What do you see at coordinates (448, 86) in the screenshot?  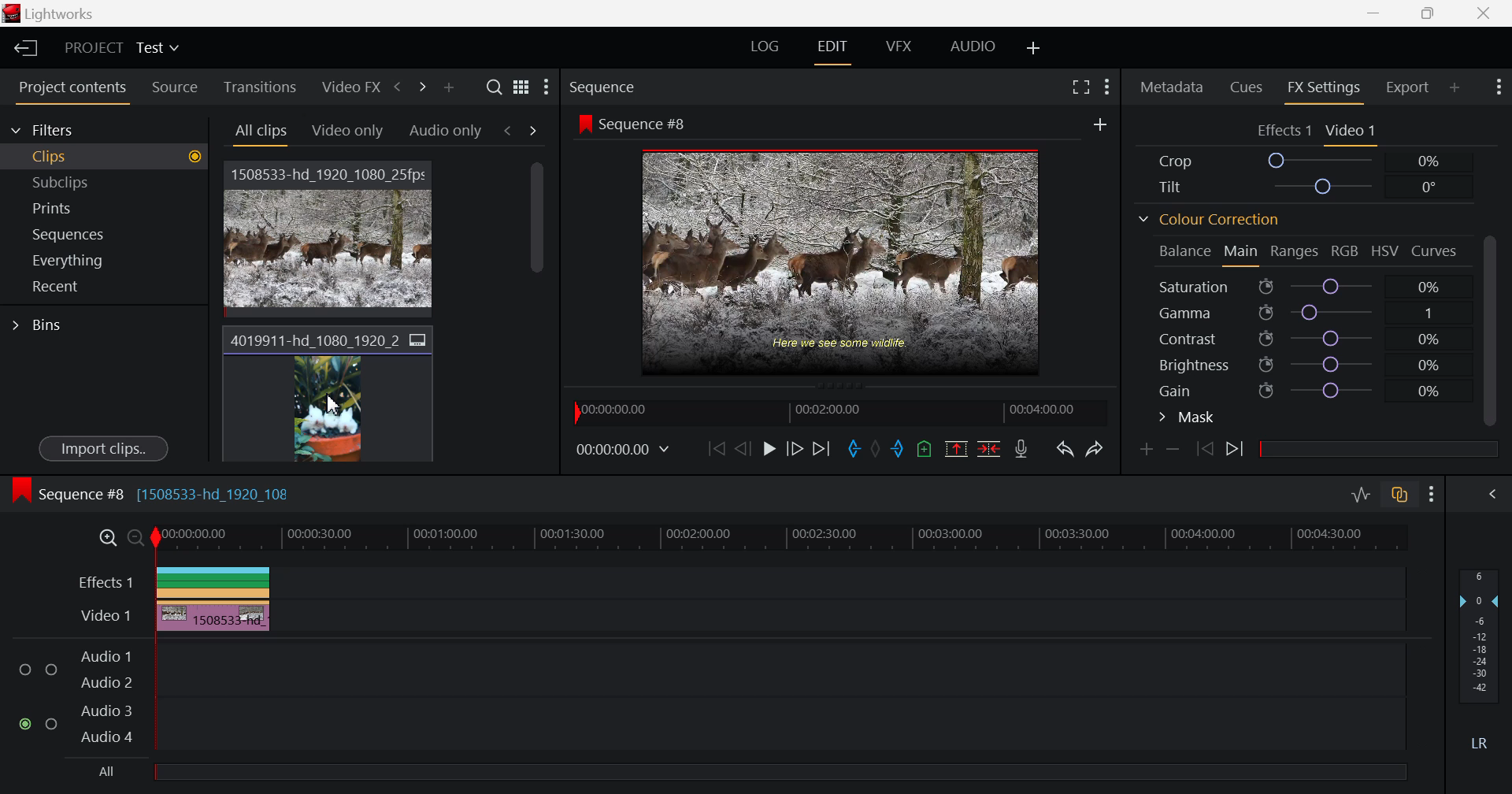 I see `Add Panel` at bounding box center [448, 86].